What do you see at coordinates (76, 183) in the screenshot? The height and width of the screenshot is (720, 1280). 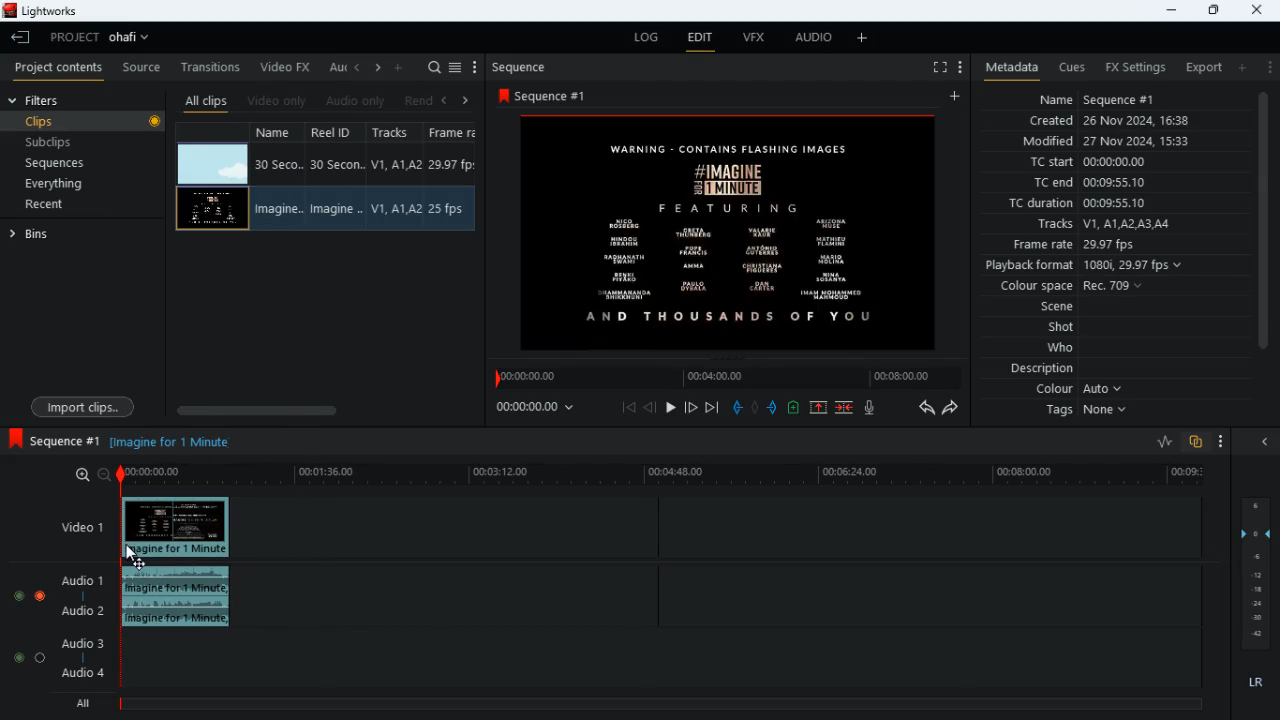 I see `everything` at bounding box center [76, 183].